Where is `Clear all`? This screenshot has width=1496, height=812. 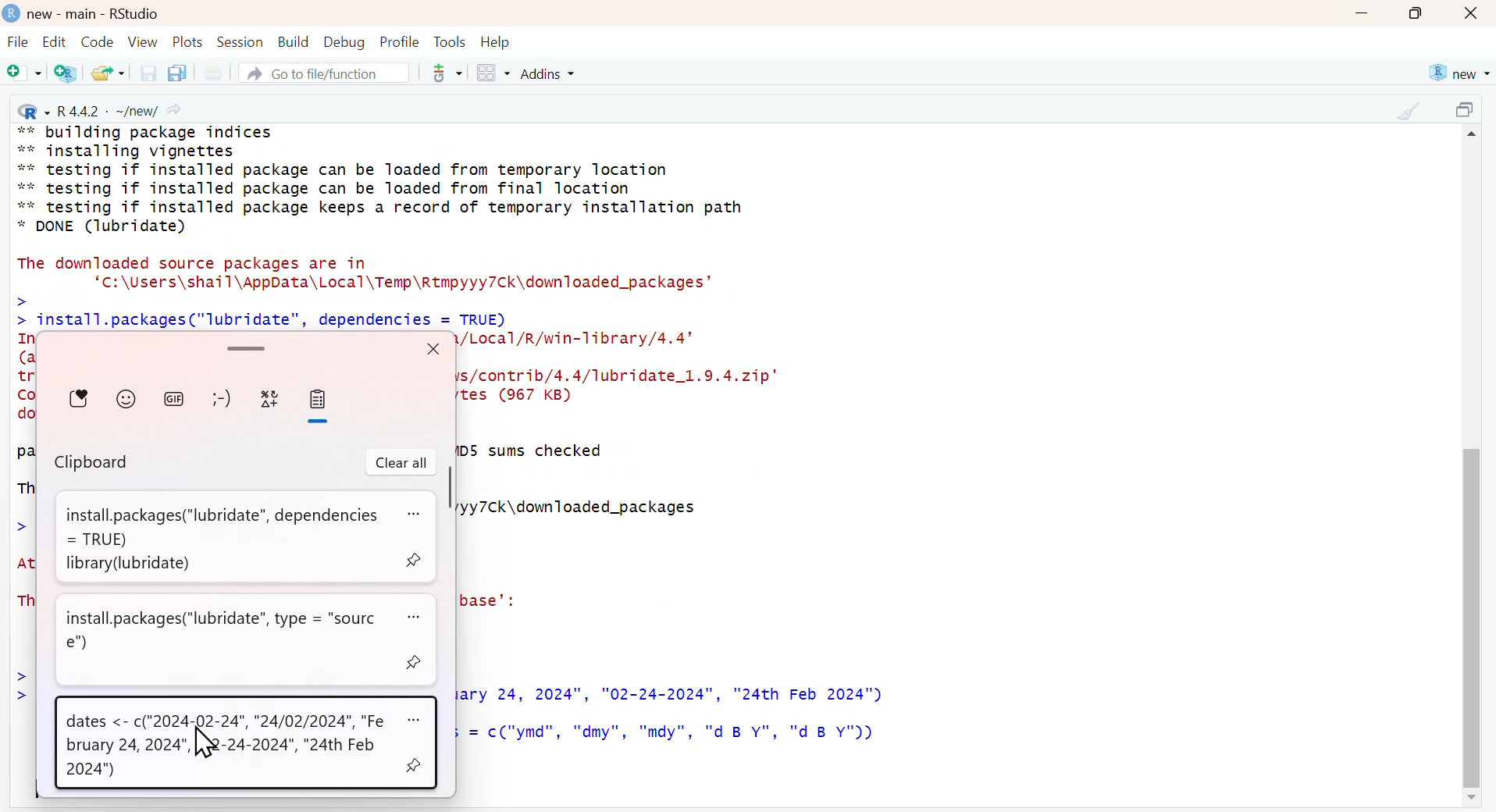 Clear all is located at coordinates (401, 463).